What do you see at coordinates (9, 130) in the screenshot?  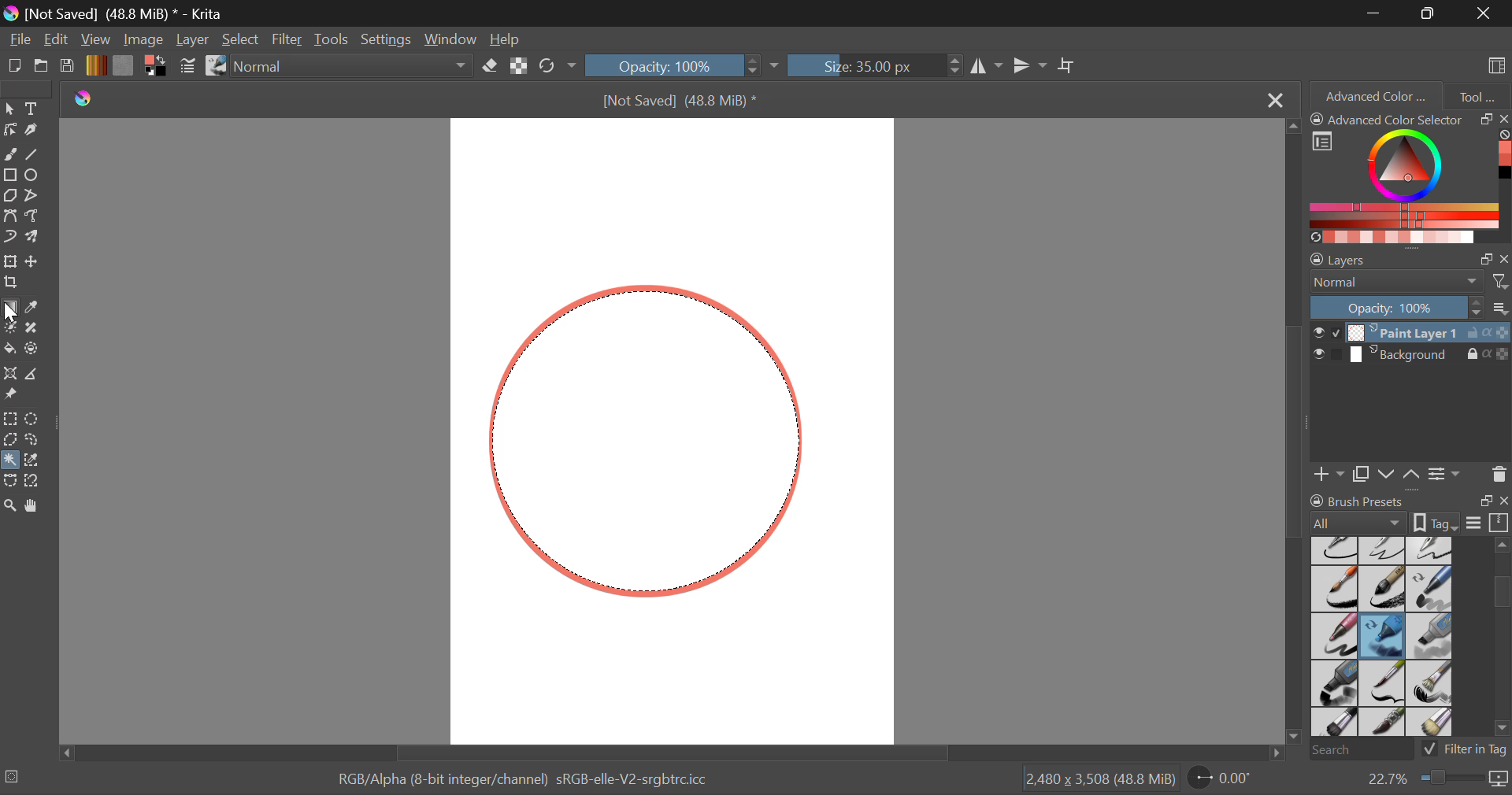 I see `Edit Shapes Tool` at bounding box center [9, 130].